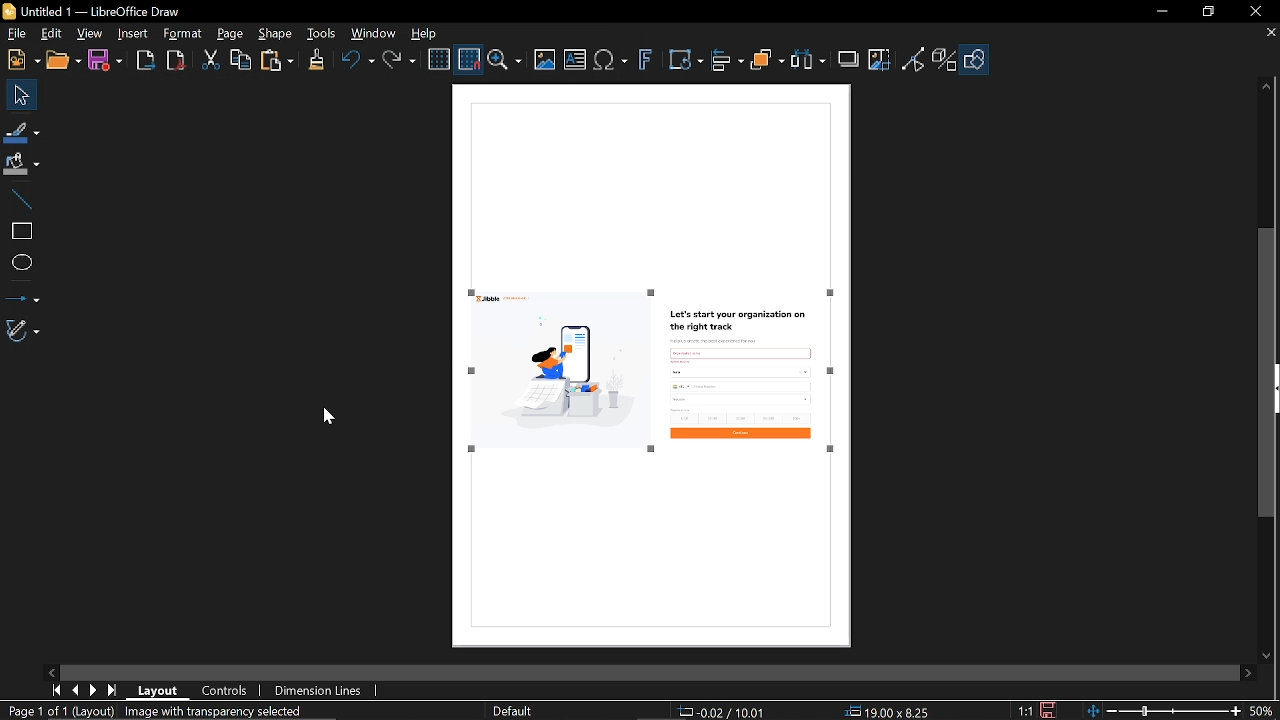 The width and height of the screenshot is (1280, 720). I want to click on Last page, so click(112, 691).